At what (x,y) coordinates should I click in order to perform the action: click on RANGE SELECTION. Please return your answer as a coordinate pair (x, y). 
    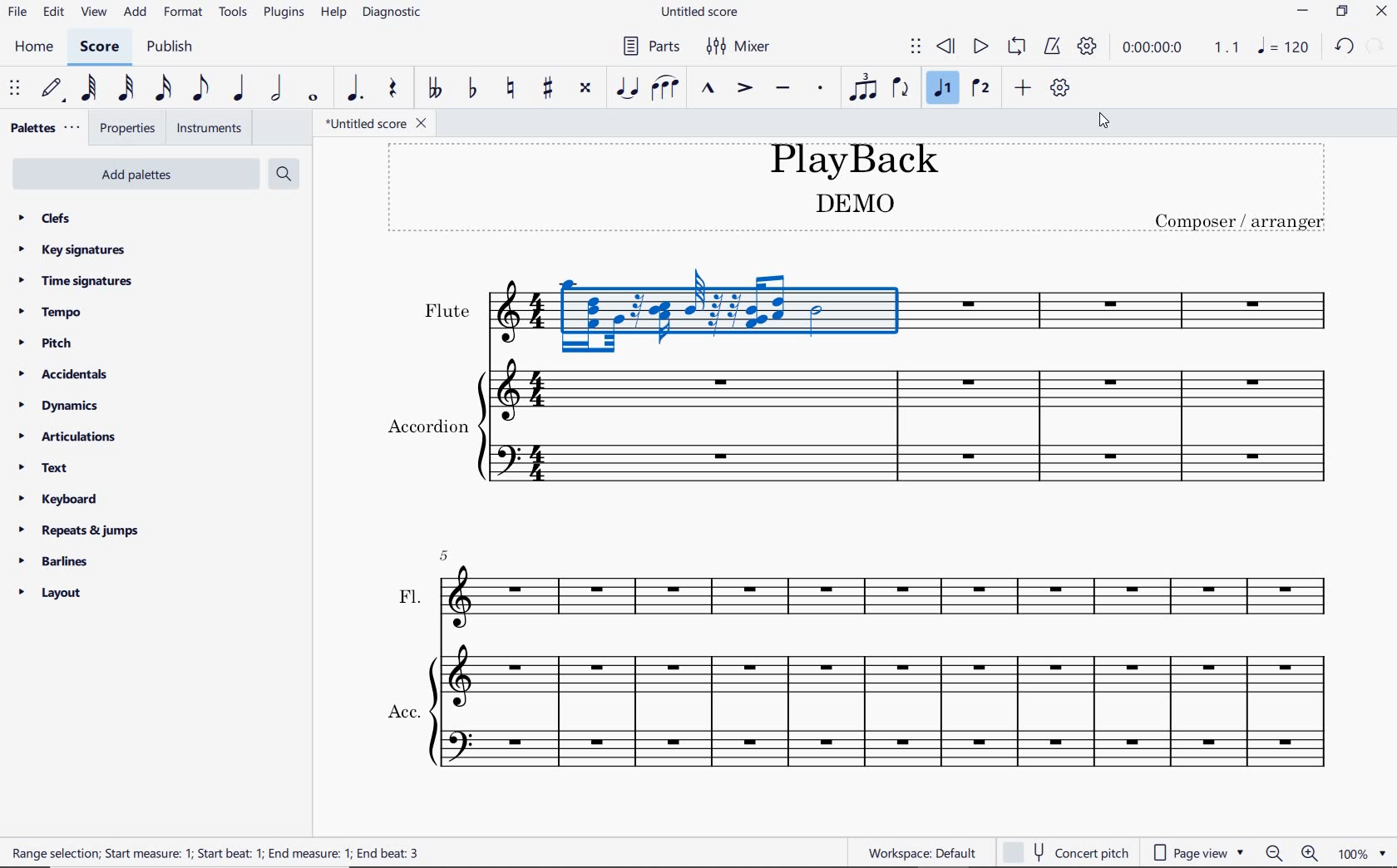
    Looking at the image, I should click on (223, 851).